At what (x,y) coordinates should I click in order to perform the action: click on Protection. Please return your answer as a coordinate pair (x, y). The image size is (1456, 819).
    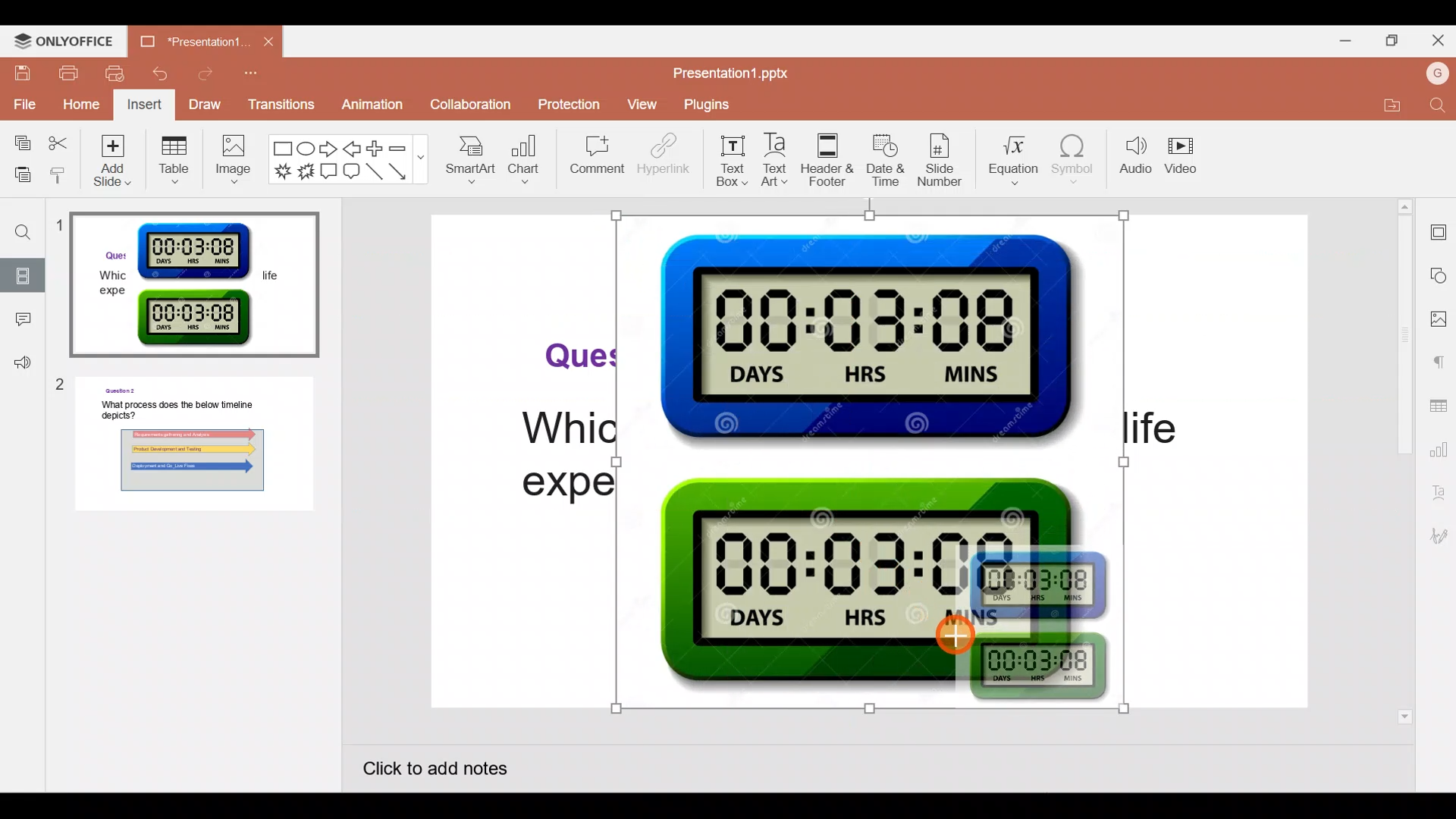
    Looking at the image, I should click on (569, 104).